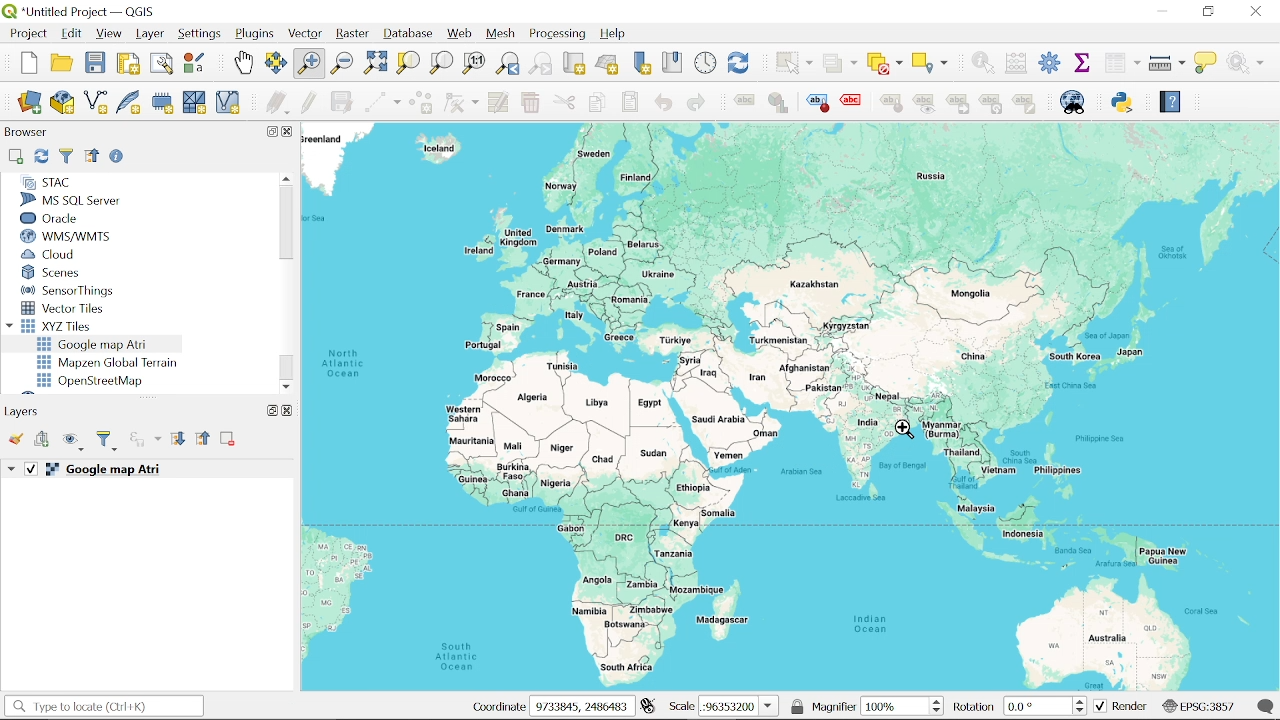  Describe the element at coordinates (32, 469) in the screenshot. I see `On/off` at that location.